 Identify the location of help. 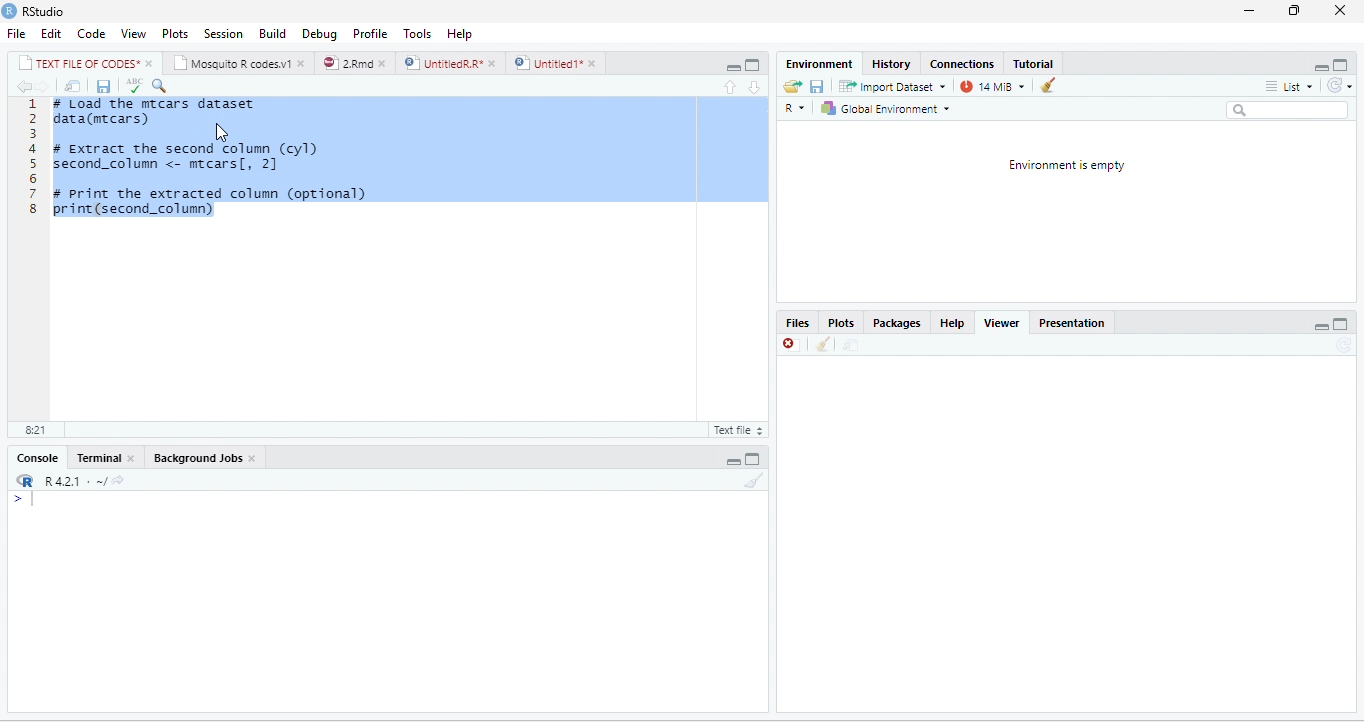
(458, 32).